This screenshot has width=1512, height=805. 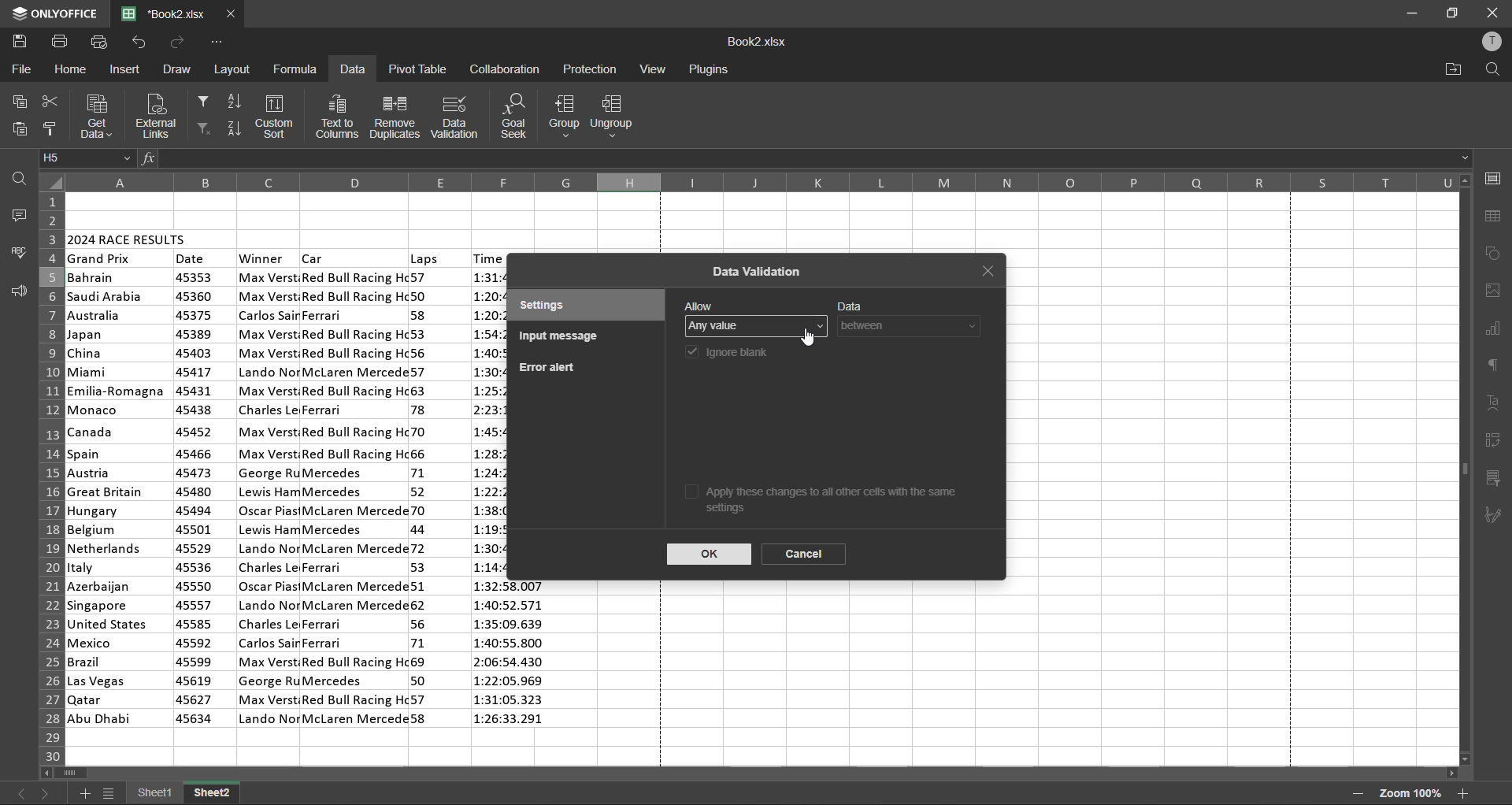 I want to click on file, so click(x=19, y=69).